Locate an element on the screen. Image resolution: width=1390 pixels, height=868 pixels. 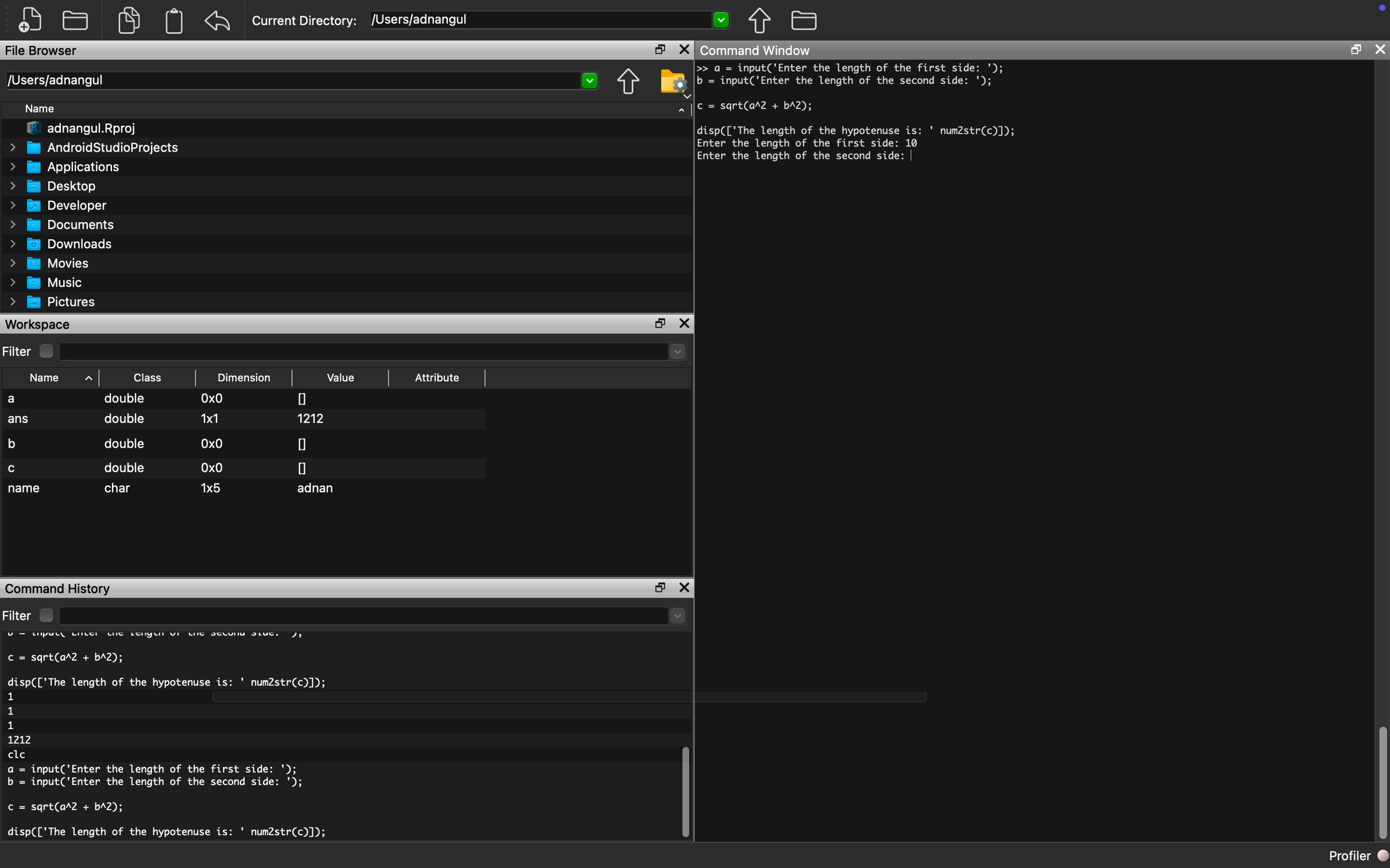
restore down is located at coordinates (657, 587).